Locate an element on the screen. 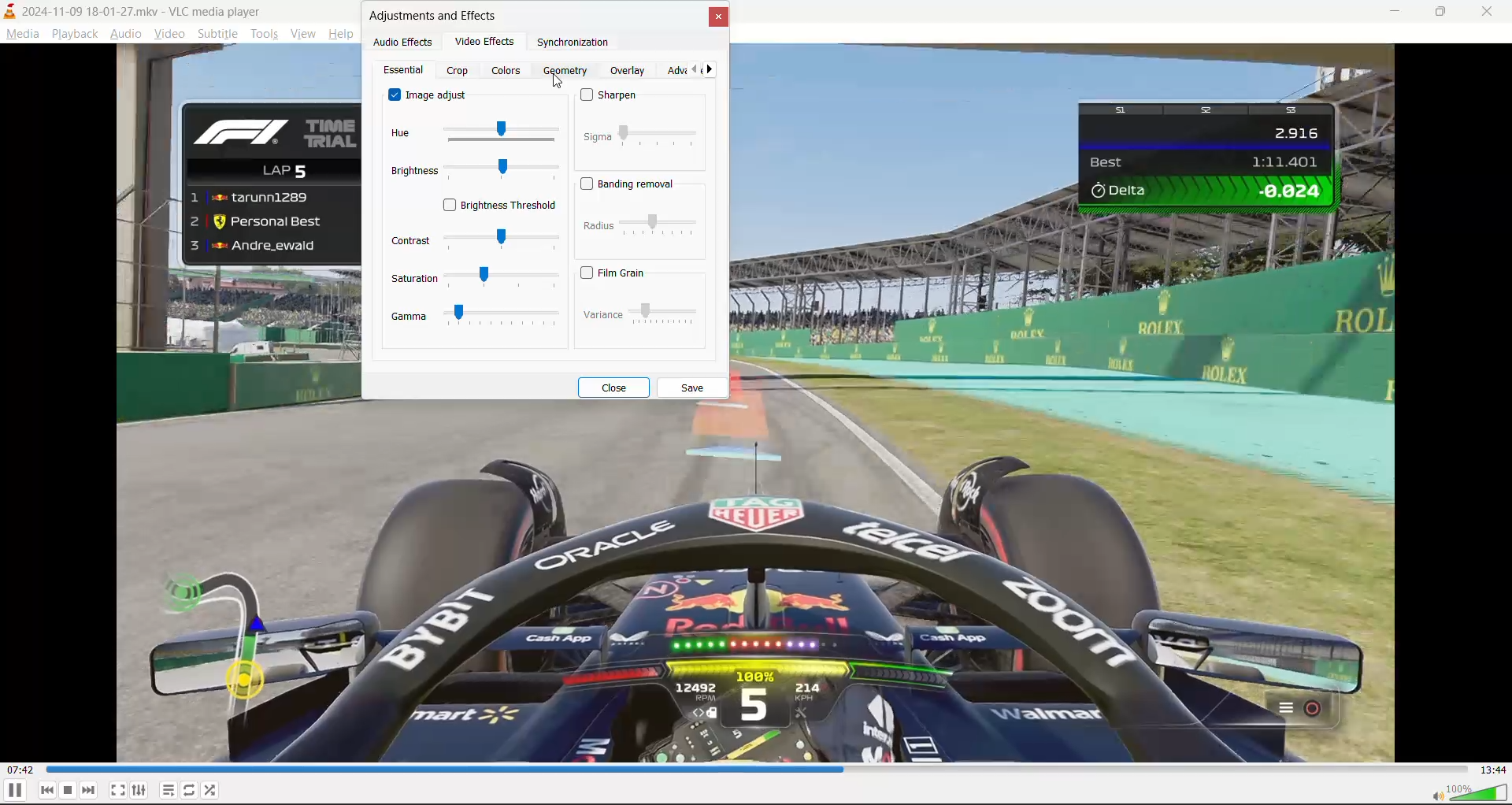 The image size is (1512, 805). minimize is located at coordinates (1394, 13).